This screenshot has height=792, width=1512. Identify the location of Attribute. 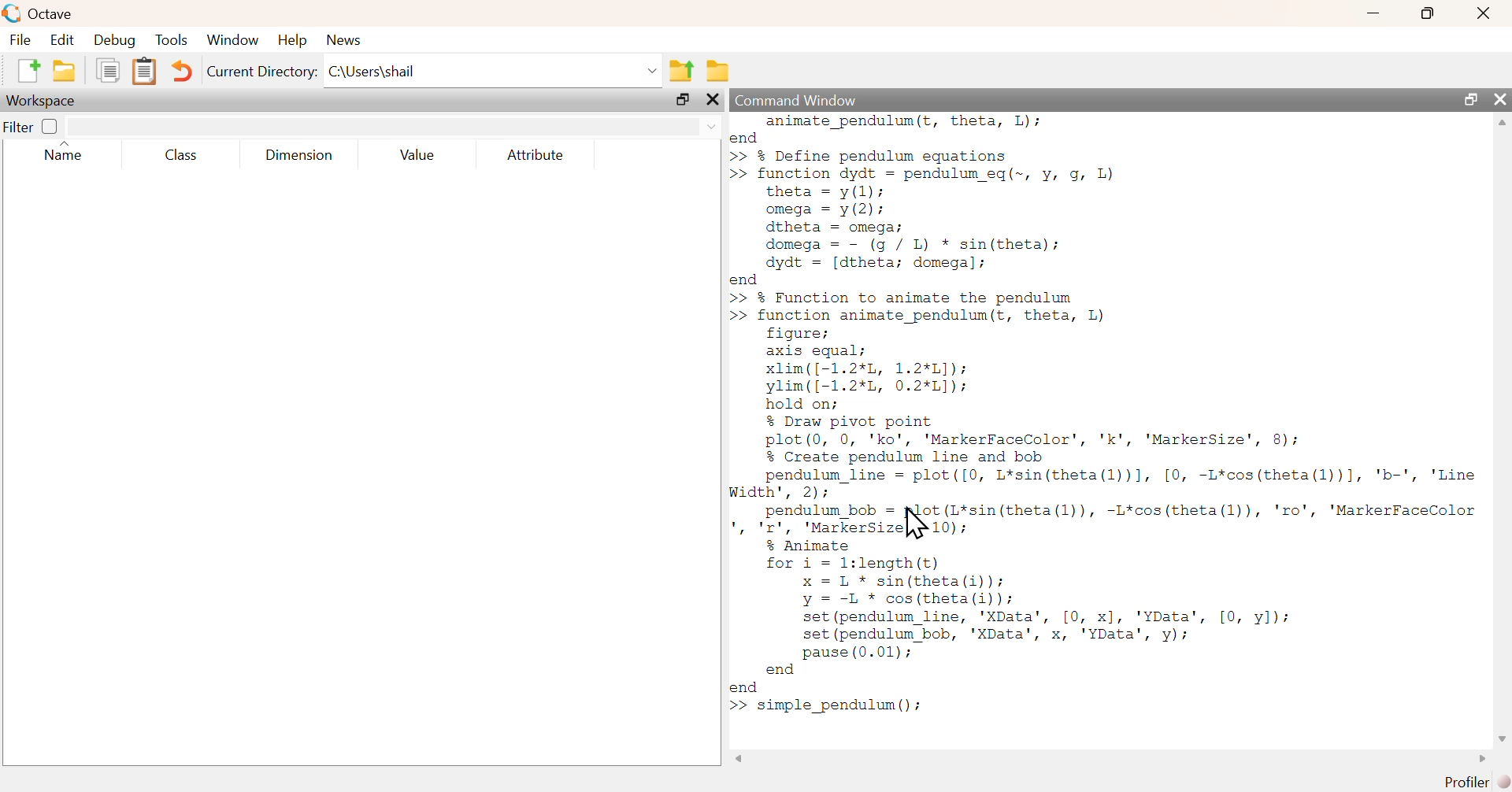
(537, 156).